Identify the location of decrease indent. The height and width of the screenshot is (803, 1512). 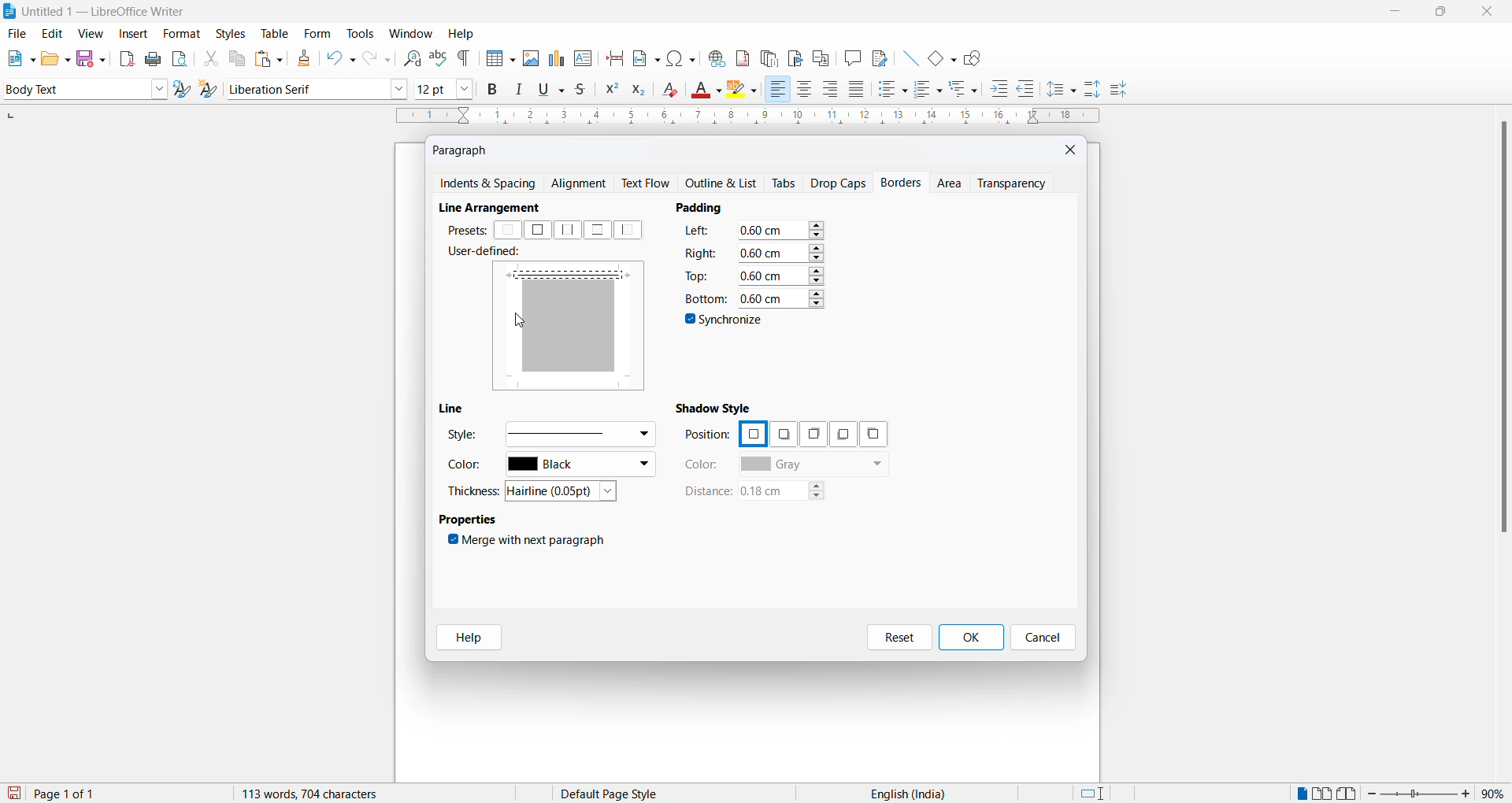
(1031, 90).